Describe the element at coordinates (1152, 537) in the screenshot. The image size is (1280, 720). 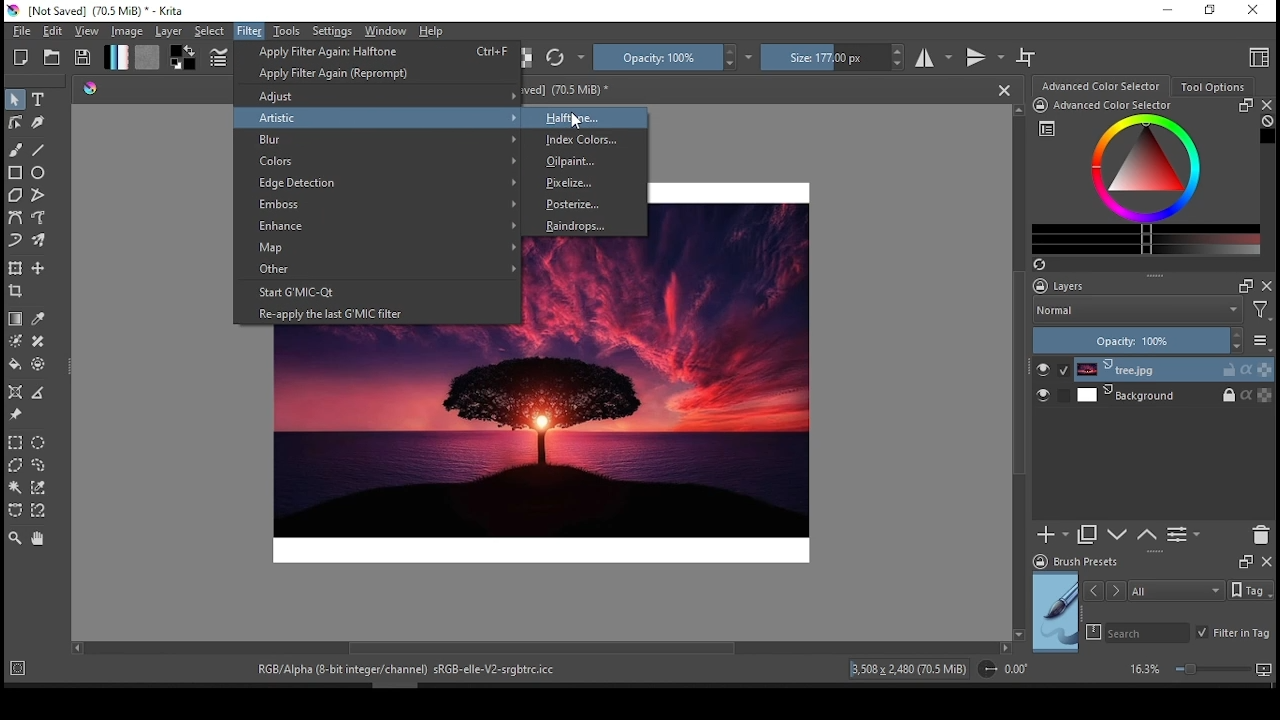
I see `move layer or mask up` at that location.